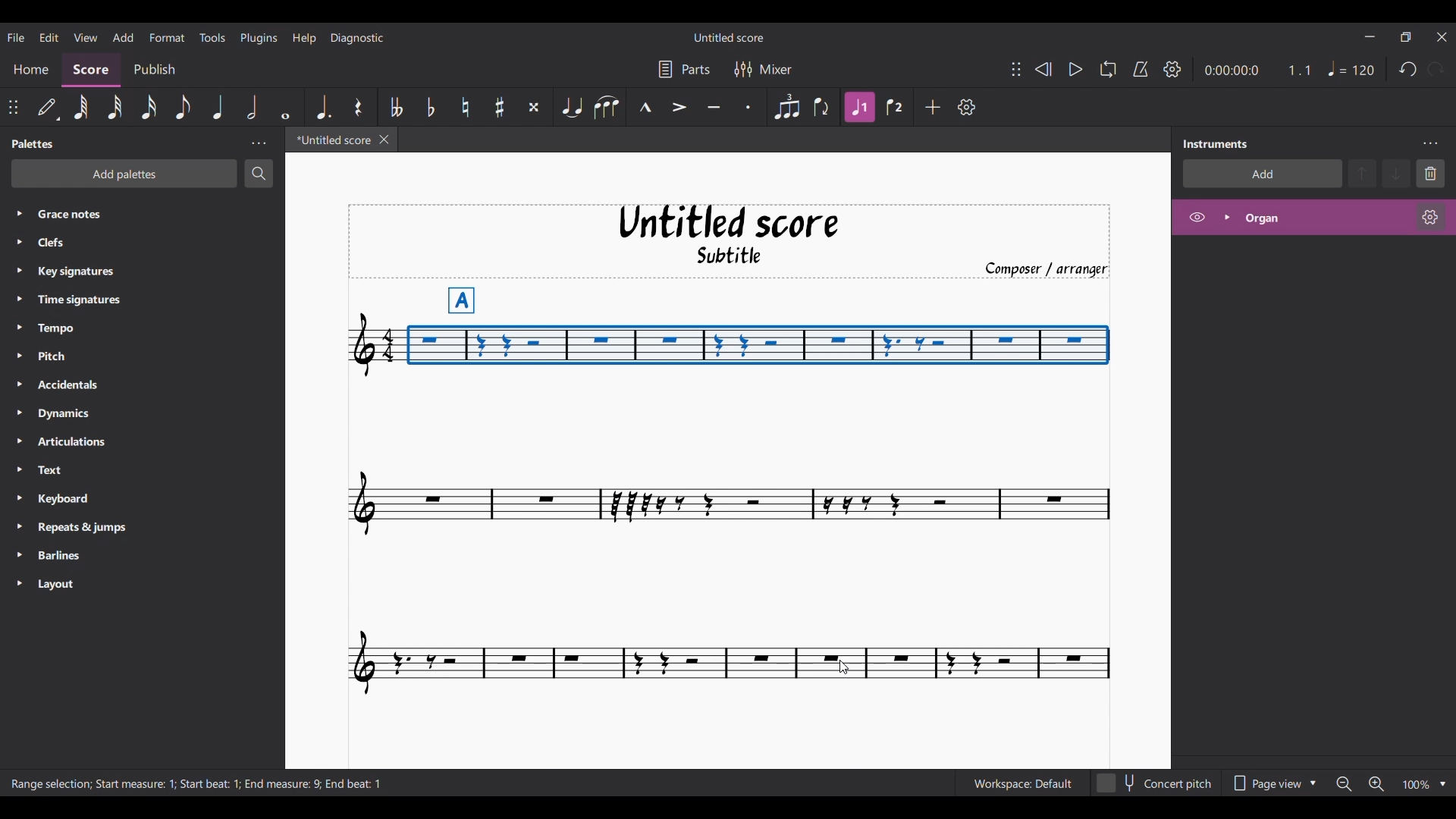 This screenshot has width=1456, height=819. Describe the element at coordinates (967, 107) in the screenshot. I see `Customize toolbar` at that location.